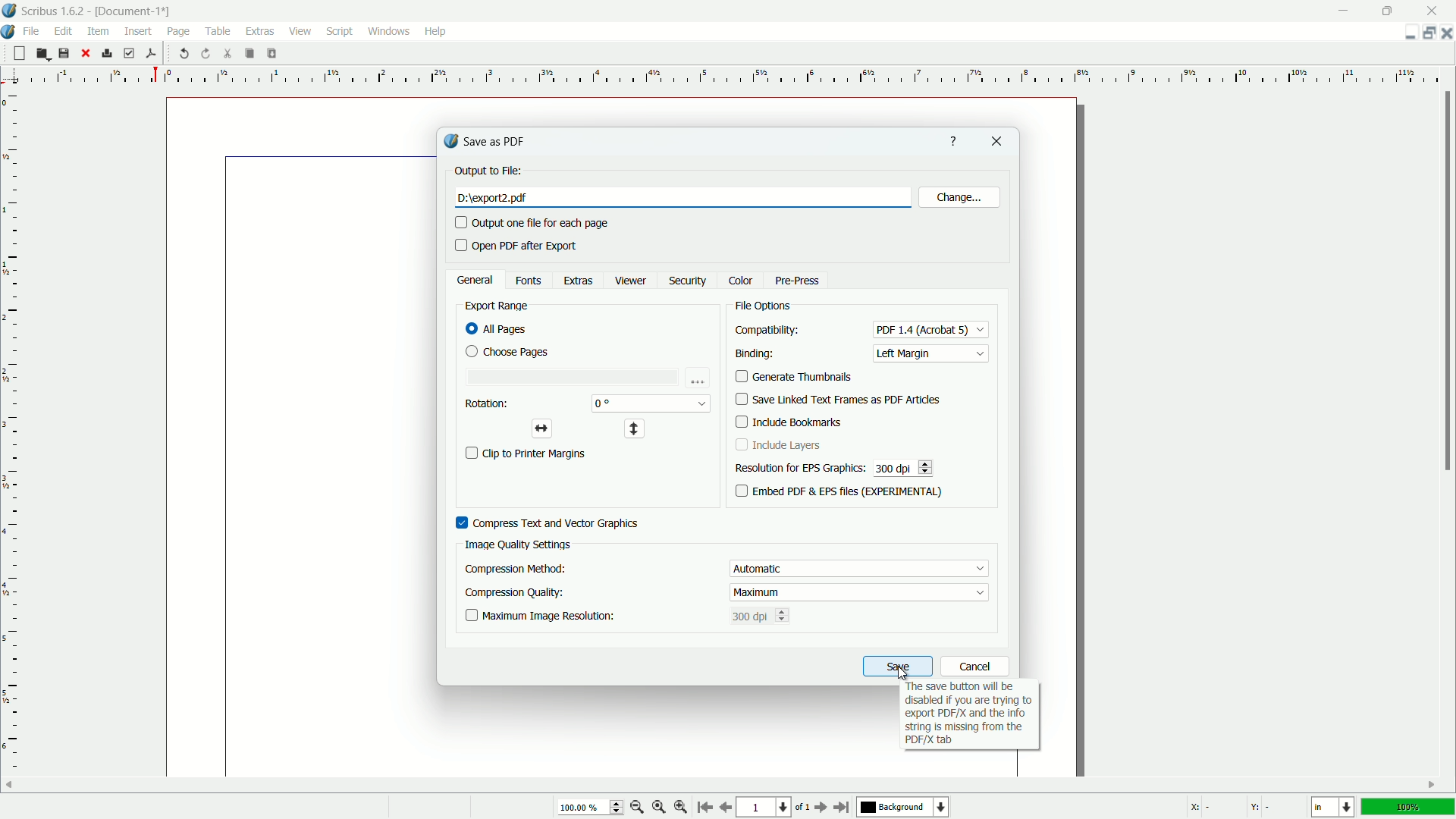  What do you see at coordinates (681, 809) in the screenshot?
I see `zoom in` at bounding box center [681, 809].